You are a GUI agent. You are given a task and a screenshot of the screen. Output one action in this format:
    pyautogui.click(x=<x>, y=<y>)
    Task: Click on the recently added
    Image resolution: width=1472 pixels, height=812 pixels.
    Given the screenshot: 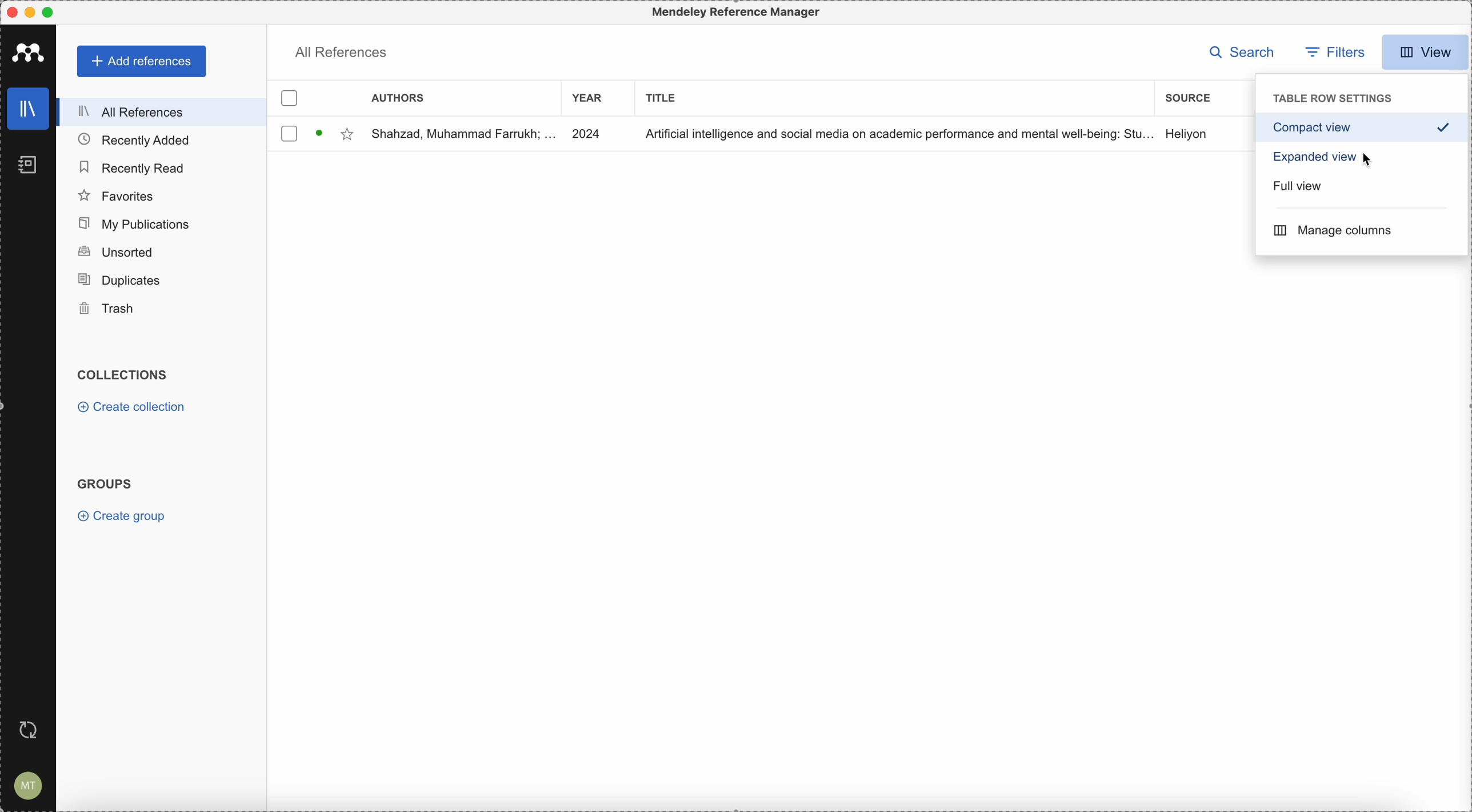 What is the action you would take?
    pyautogui.click(x=136, y=140)
    